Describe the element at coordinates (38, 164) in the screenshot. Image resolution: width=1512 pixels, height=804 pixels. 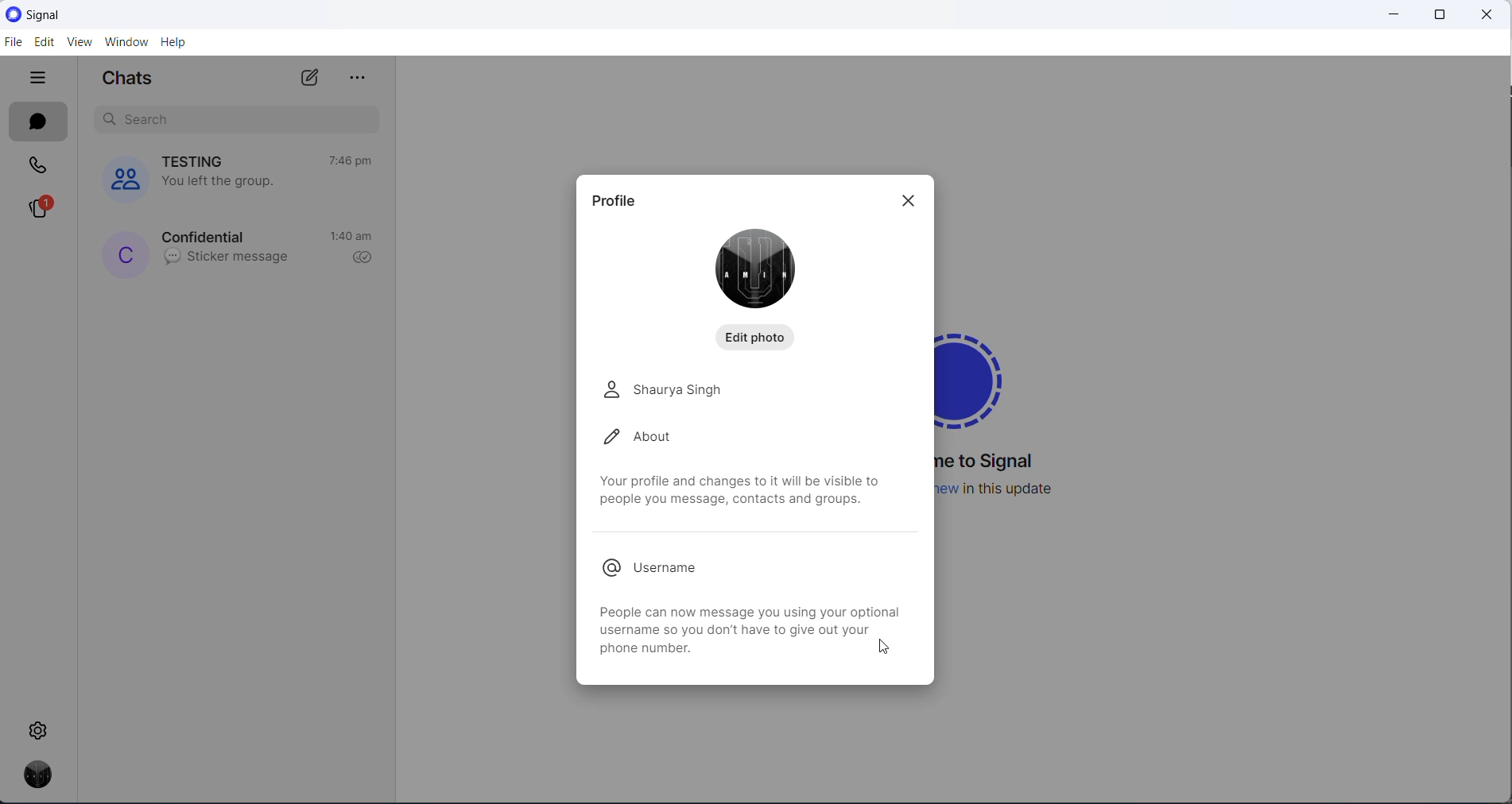
I see `calls` at that location.